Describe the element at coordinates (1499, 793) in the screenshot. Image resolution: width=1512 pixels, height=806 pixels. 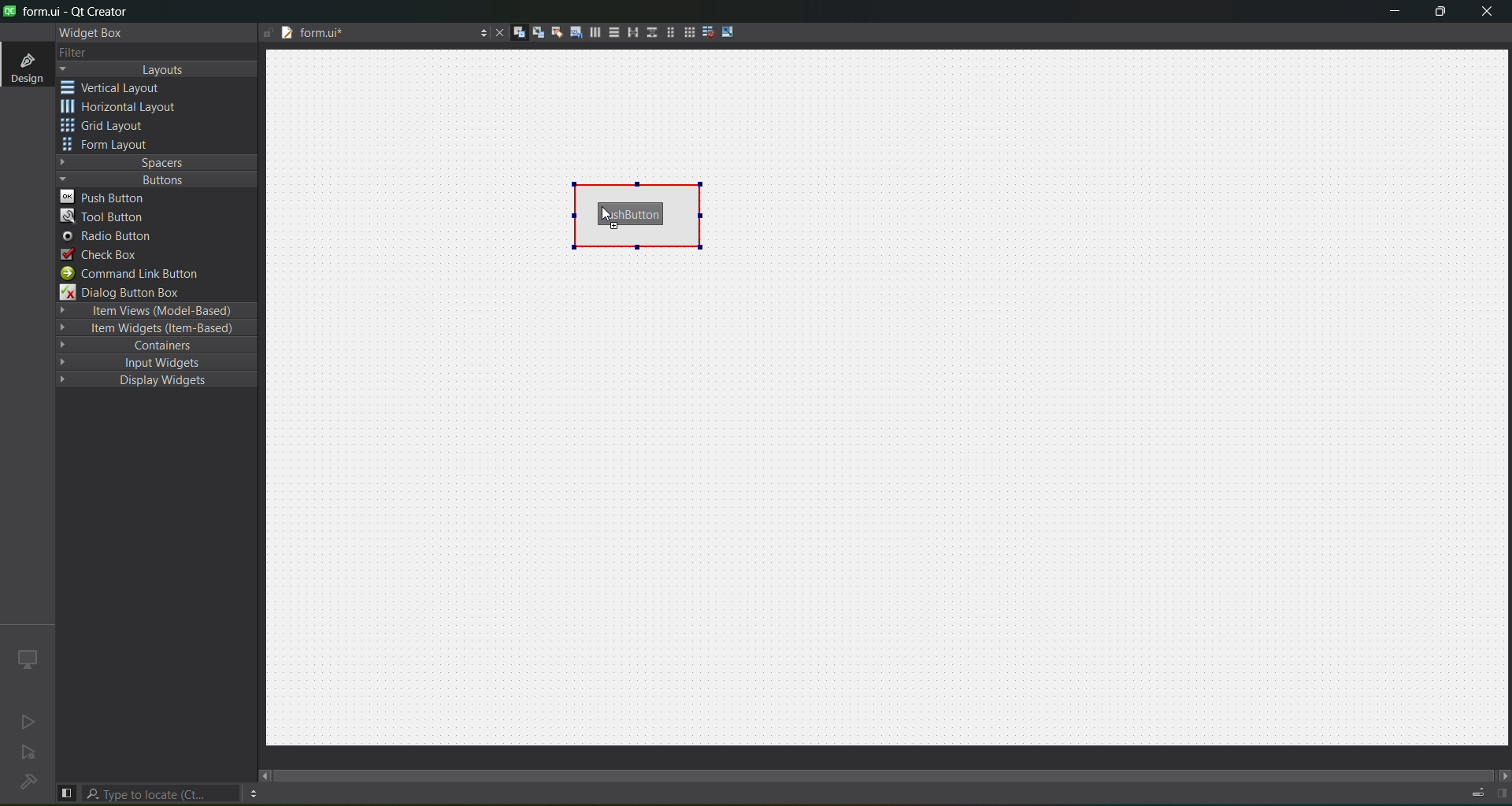
I see `Show/hide right pane` at that location.